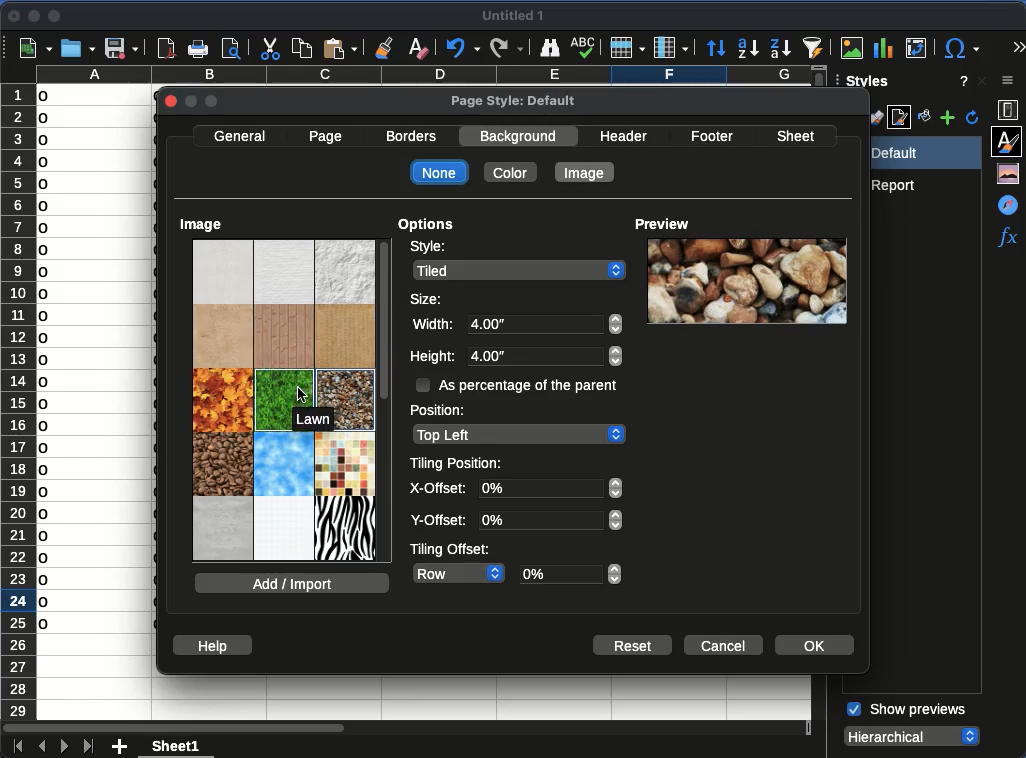 Image resolution: width=1026 pixels, height=758 pixels. What do you see at coordinates (521, 135) in the screenshot?
I see `background` at bounding box center [521, 135].